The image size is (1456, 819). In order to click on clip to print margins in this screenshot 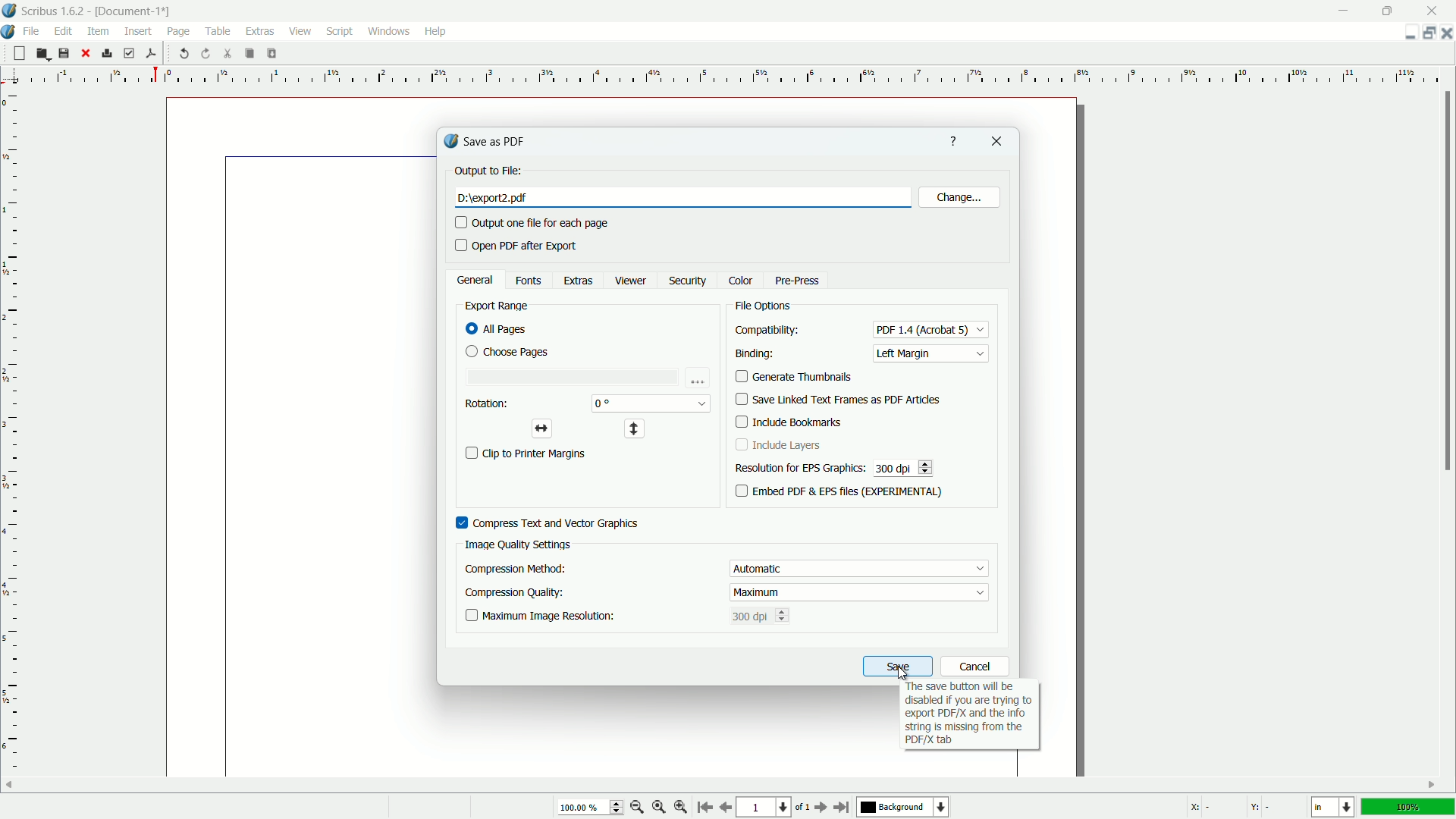, I will do `click(526, 453)`.